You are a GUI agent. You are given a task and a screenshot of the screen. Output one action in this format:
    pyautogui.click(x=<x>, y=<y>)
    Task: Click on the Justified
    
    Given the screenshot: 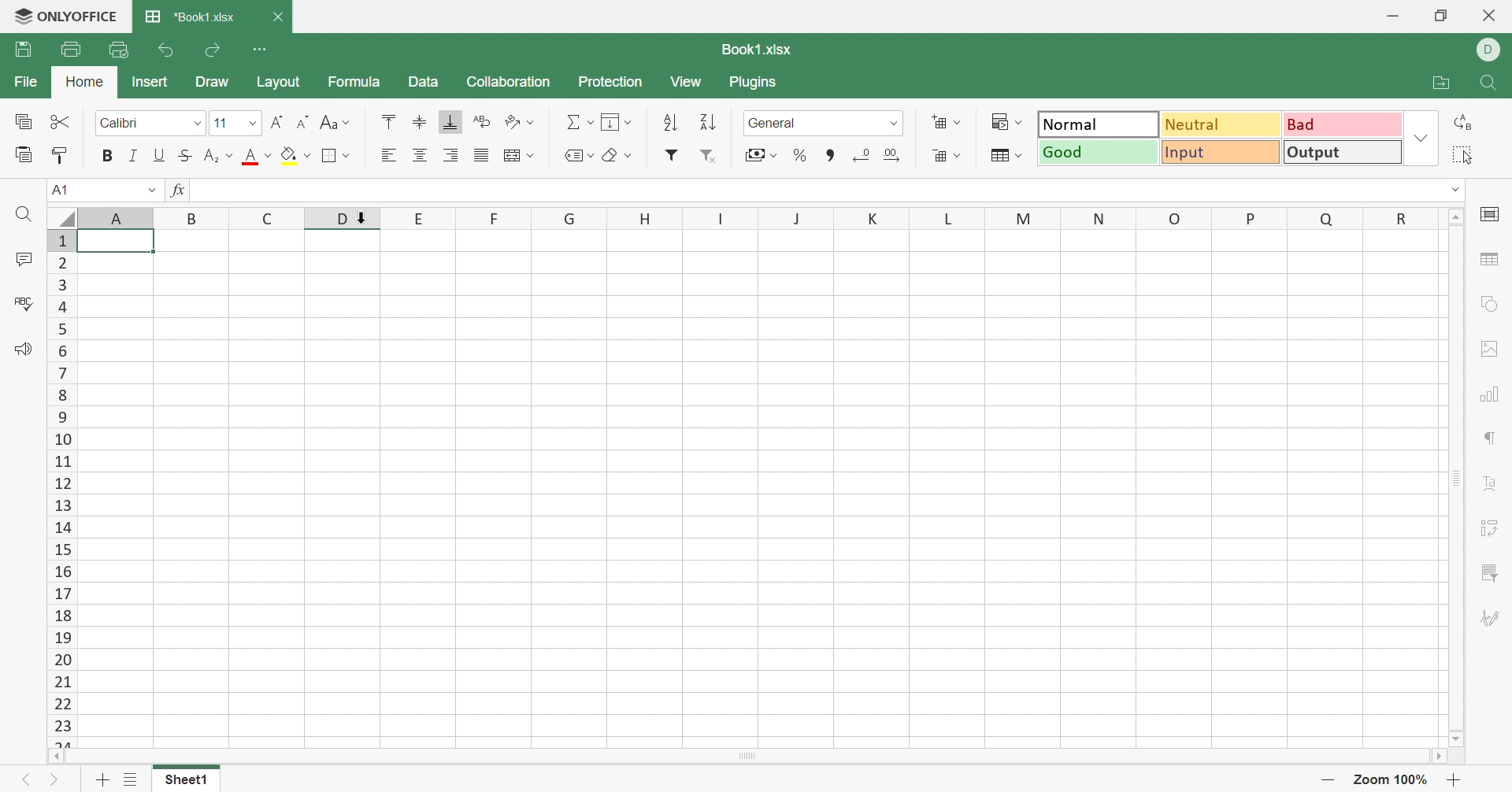 What is the action you would take?
    pyautogui.click(x=480, y=155)
    